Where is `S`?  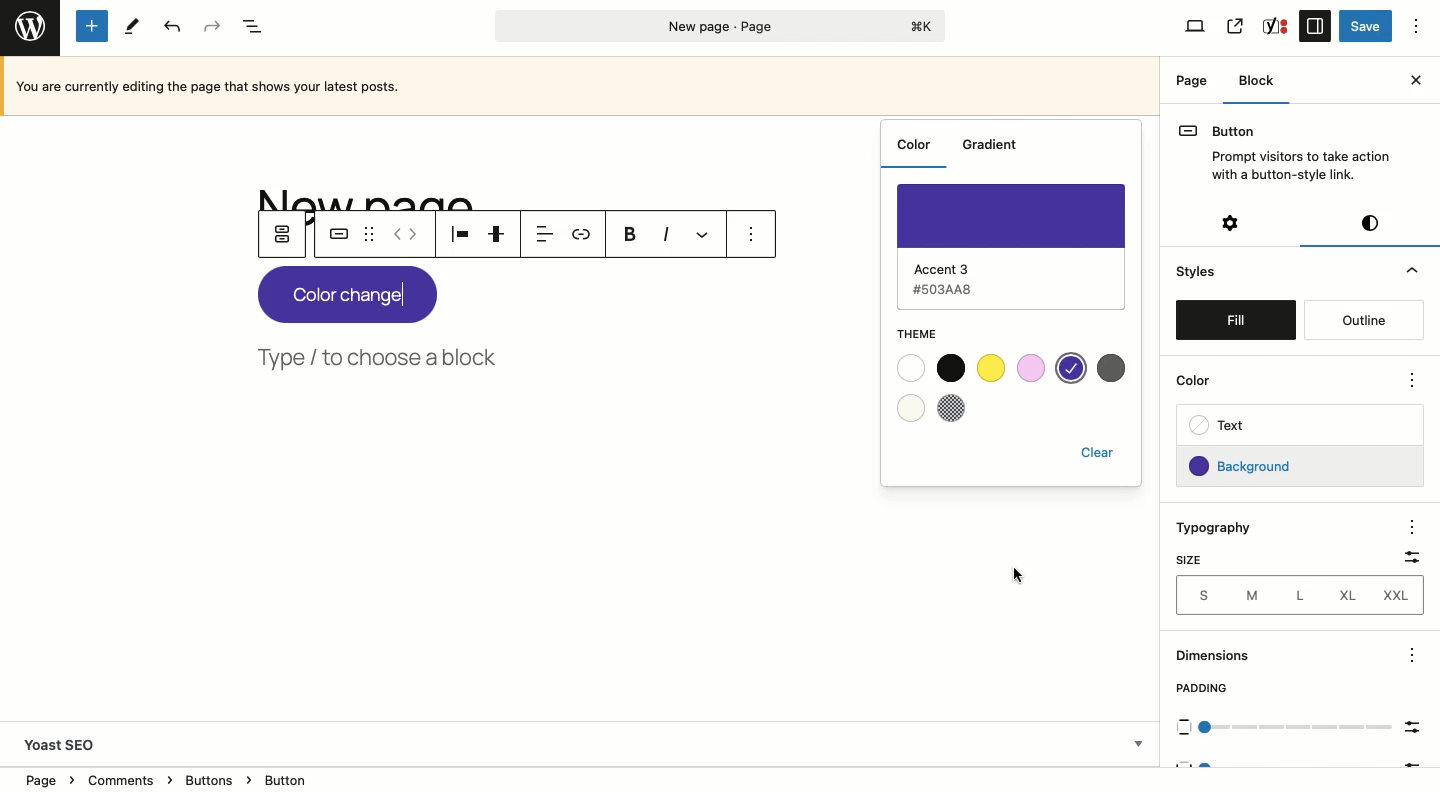
S is located at coordinates (1201, 596).